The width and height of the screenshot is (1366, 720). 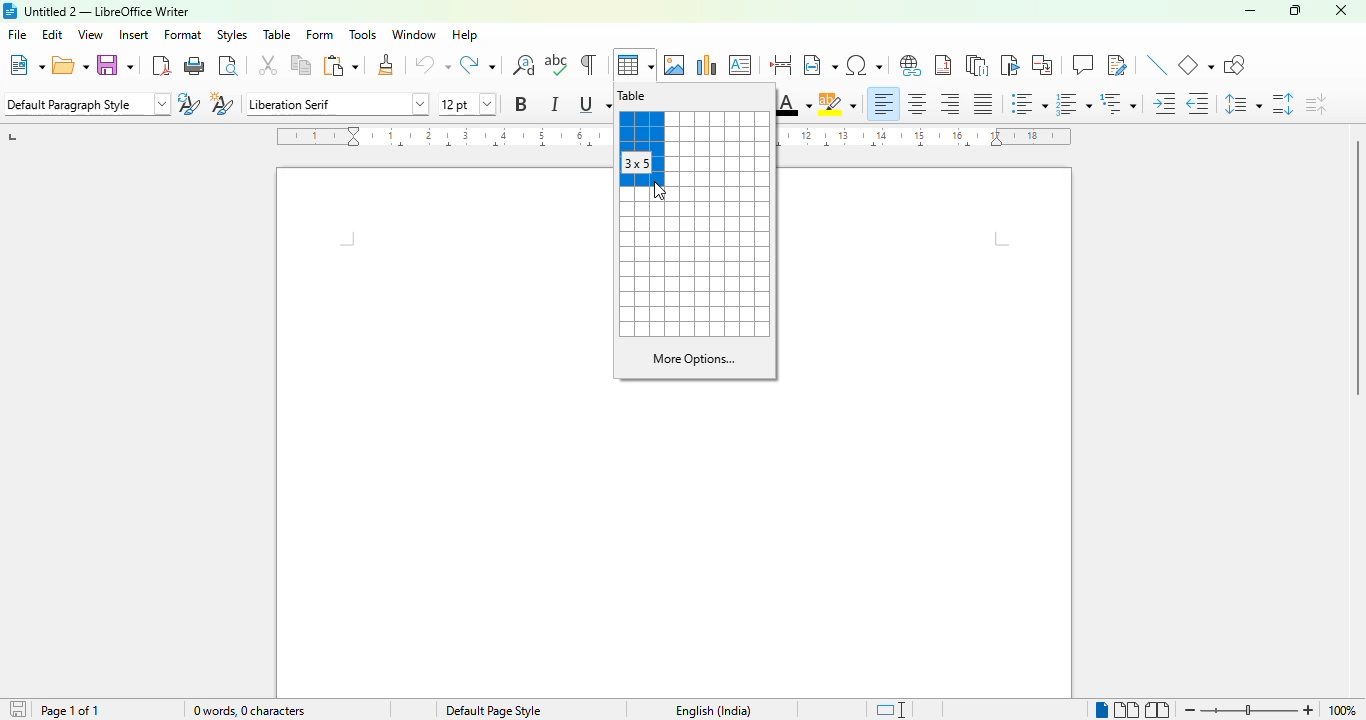 What do you see at coordinates (319, 35) in the screenshot?
I see `form` at bounding box center [319, 35].